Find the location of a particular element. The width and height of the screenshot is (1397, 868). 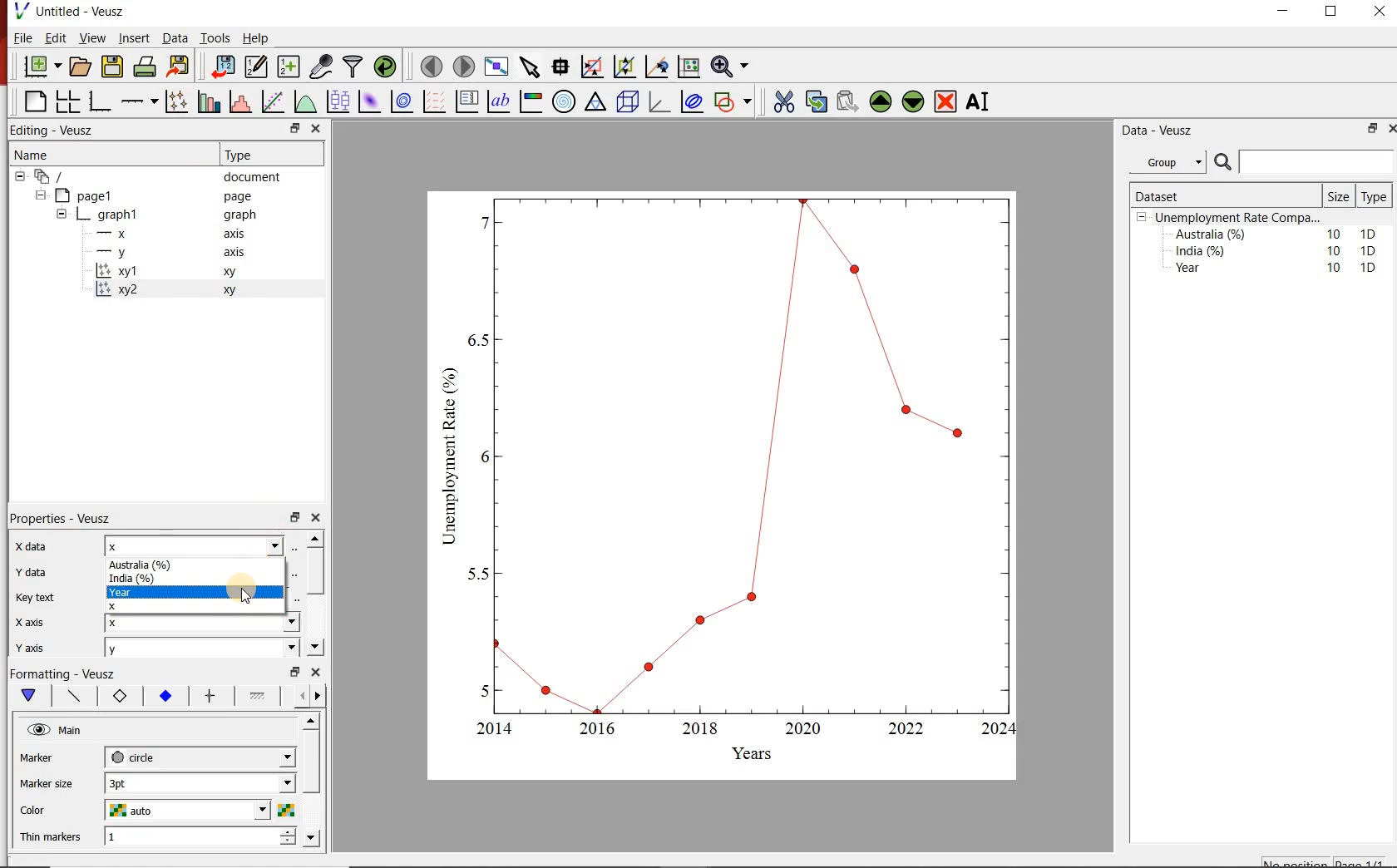

image color bar is located at coordinates (531, 102).